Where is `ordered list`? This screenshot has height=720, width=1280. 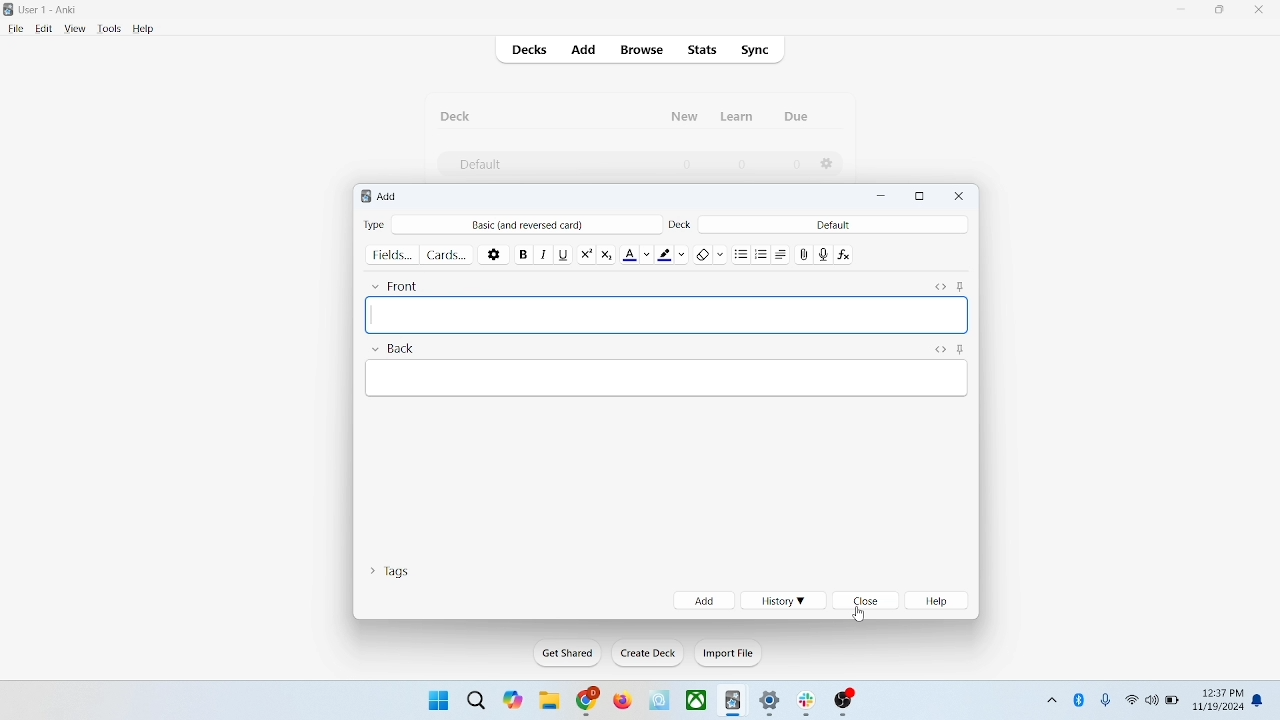 ordered list is located at coordinates (764, 255).